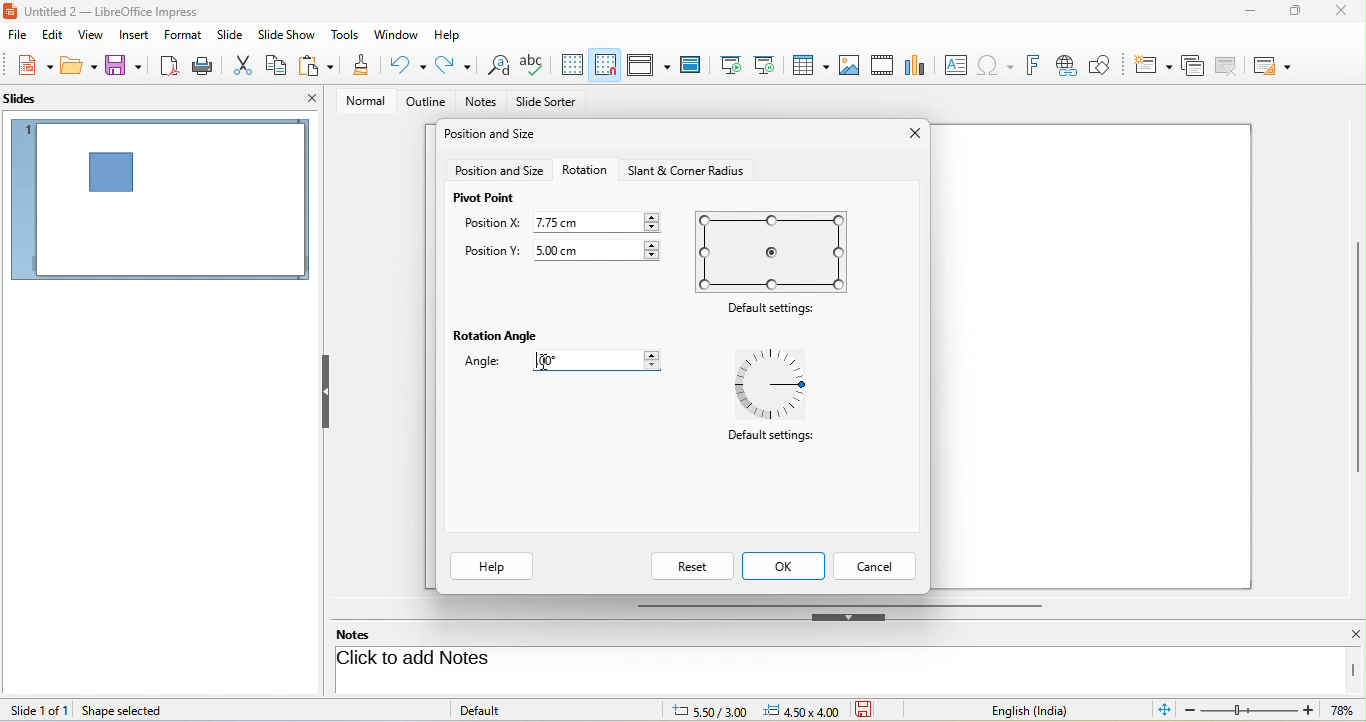 The image size is (1366, 722). Describe the element at coordinates (786, 566) in the screenshot. I see `ok` at that location.